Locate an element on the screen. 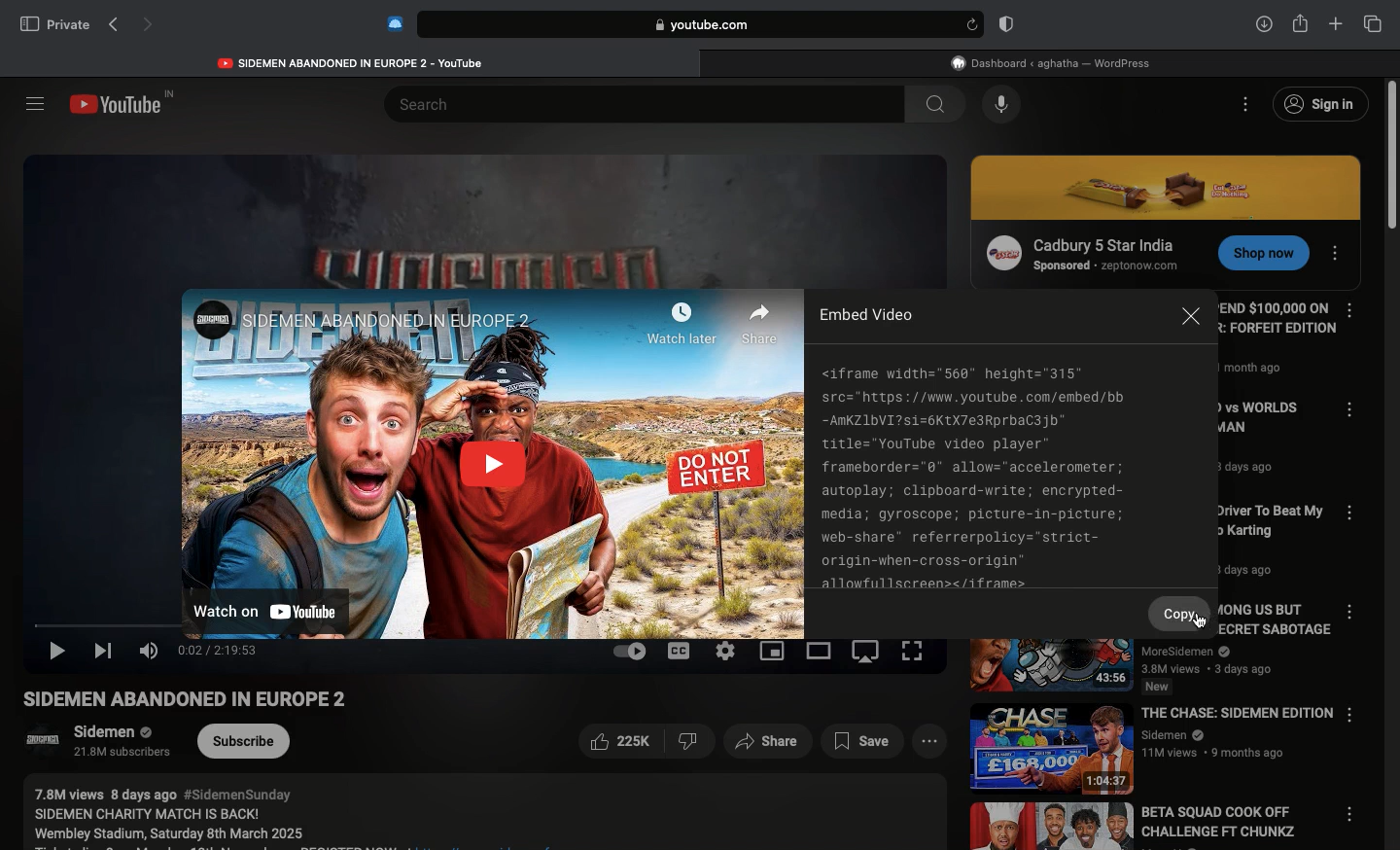 This screenshot has width=1400, height=850. Subcribe is located at coordinates (246, 741).